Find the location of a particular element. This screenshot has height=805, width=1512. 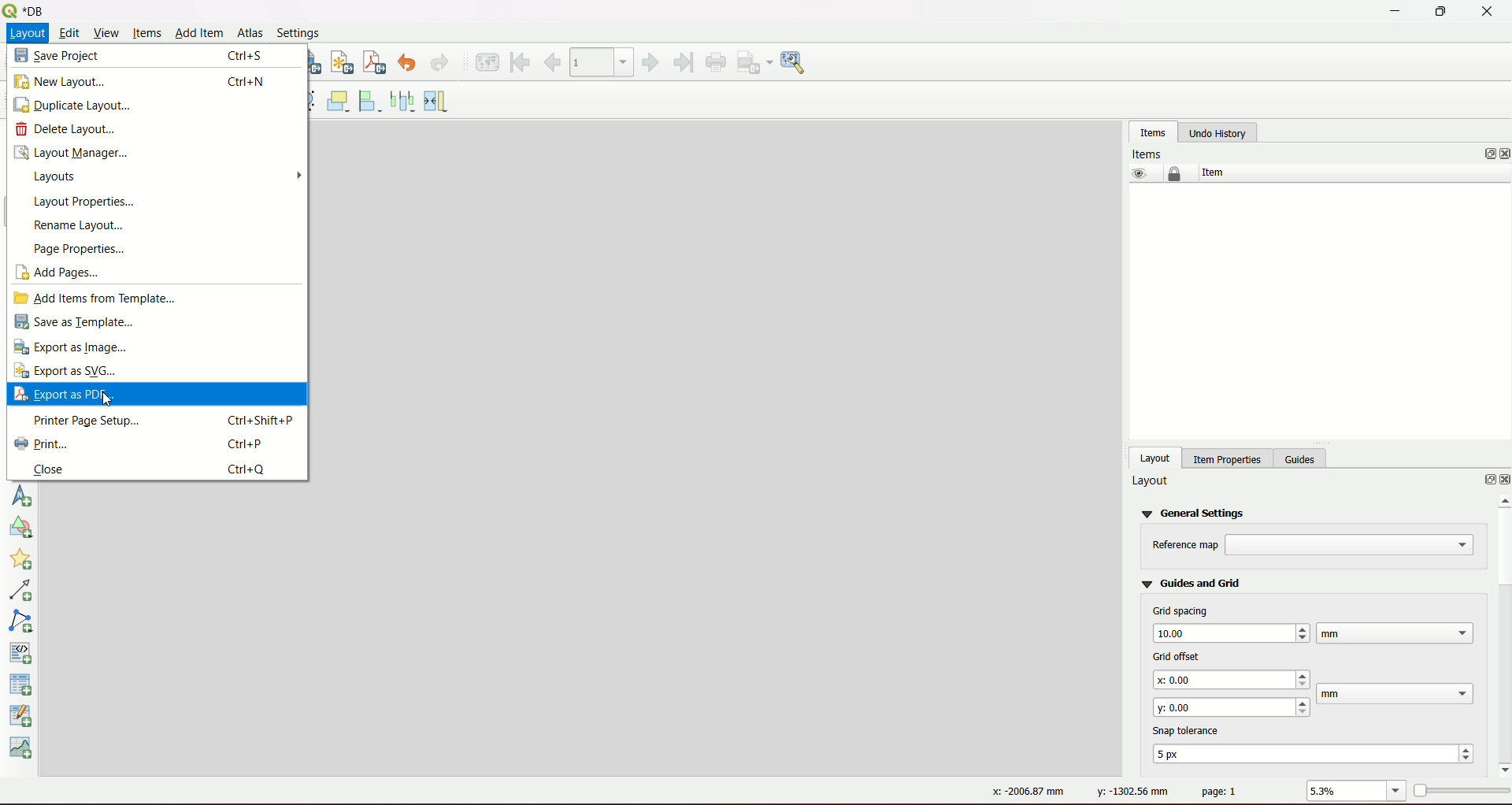

minimize is located at coordinates (1393, 12).